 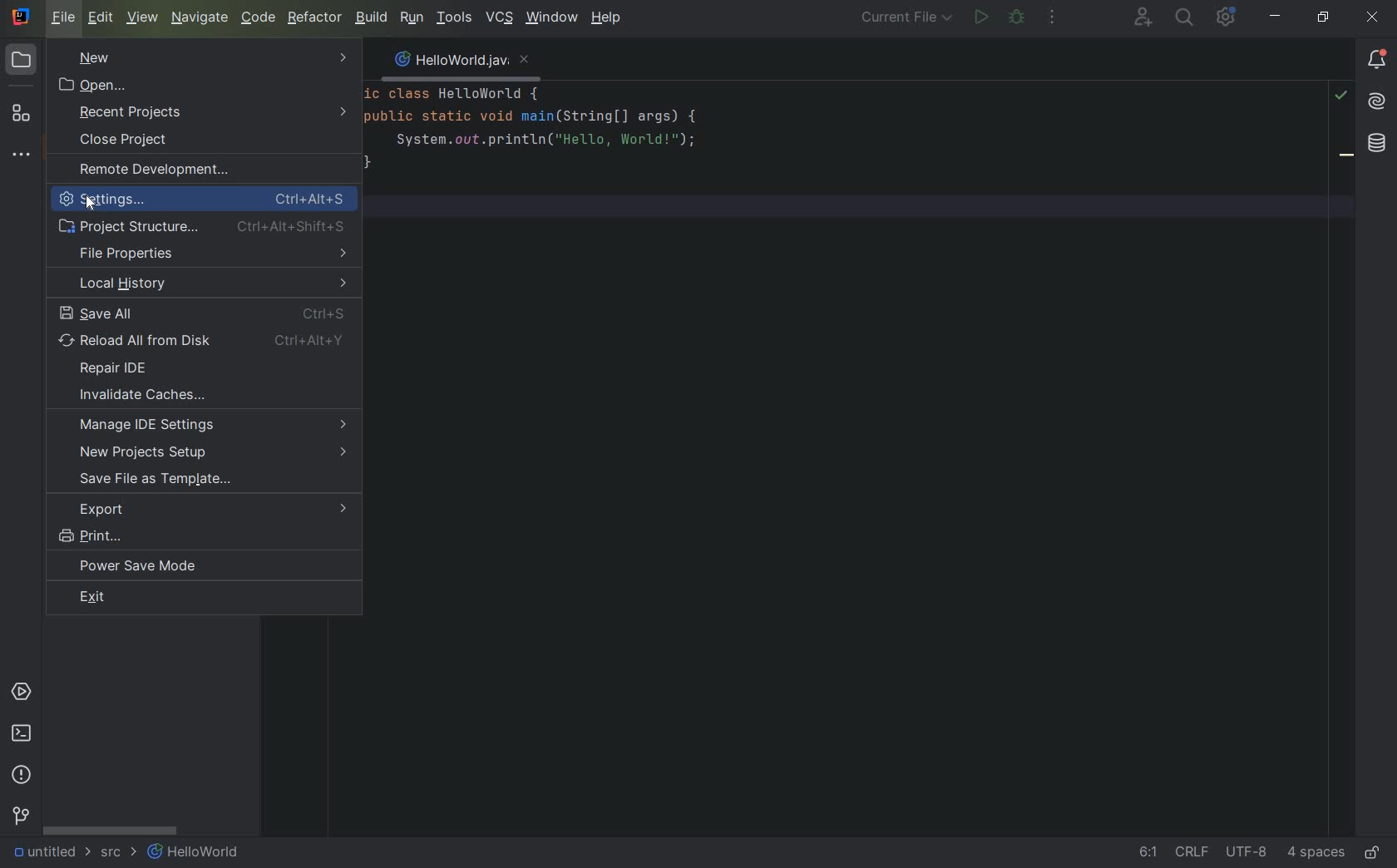 What do you see at coordinates (101, 17) in the screenshot?
I see `EDIT` at bounding box center [101, 17].